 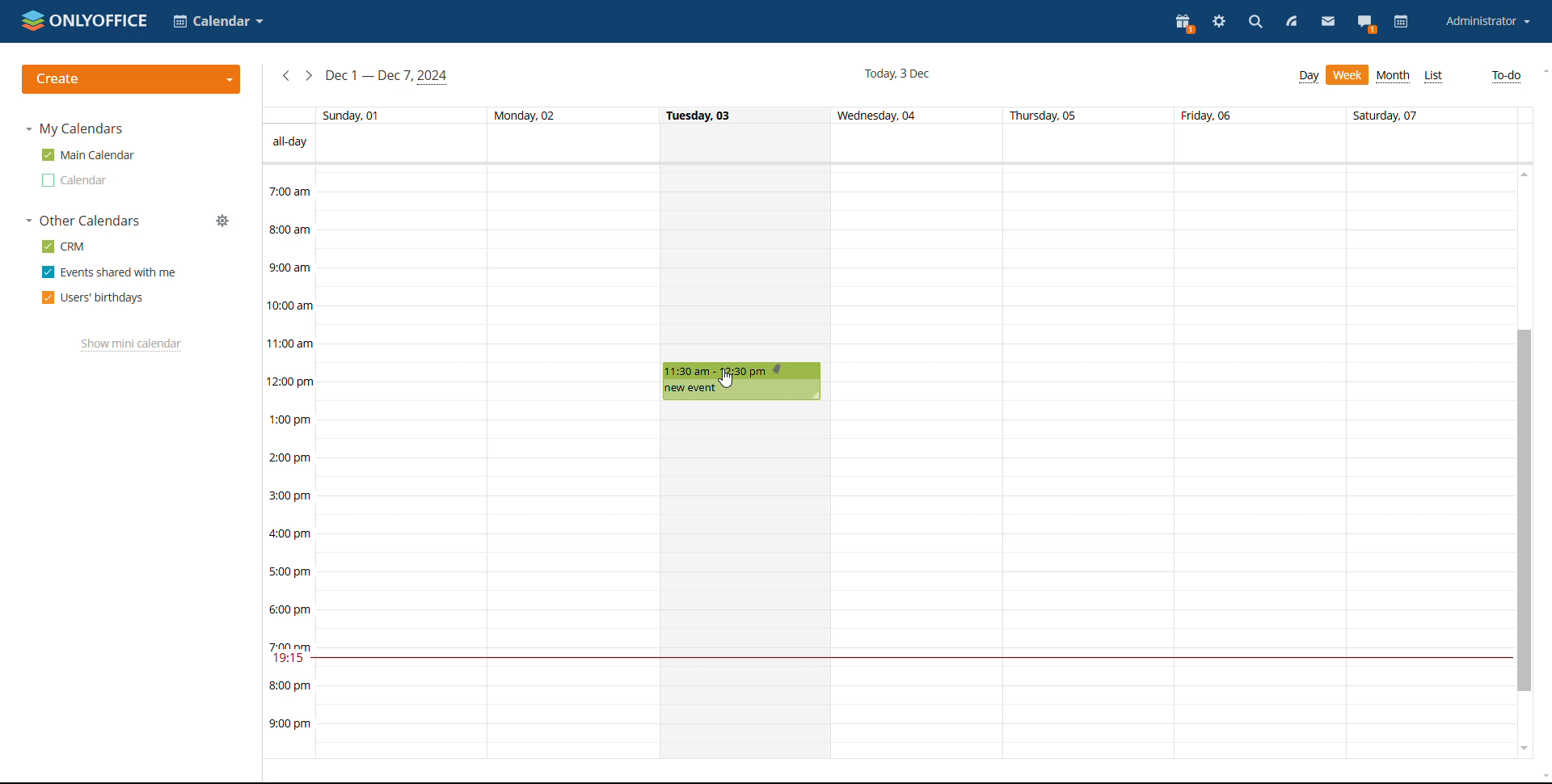 I want to click on cursor, so click(x=732, y=382).